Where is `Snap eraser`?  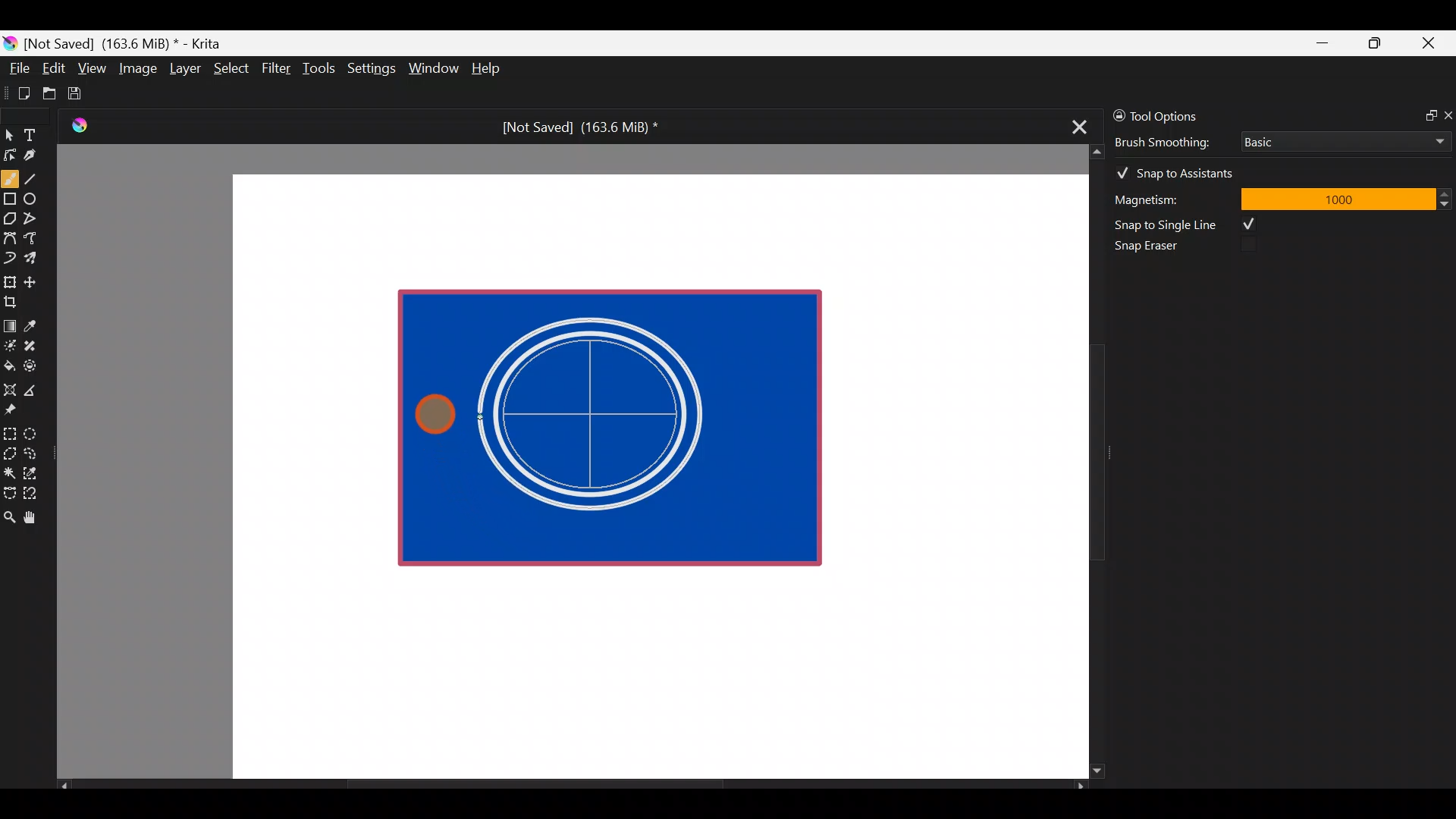 Snap eraser is located at coordinates (1156, 249).